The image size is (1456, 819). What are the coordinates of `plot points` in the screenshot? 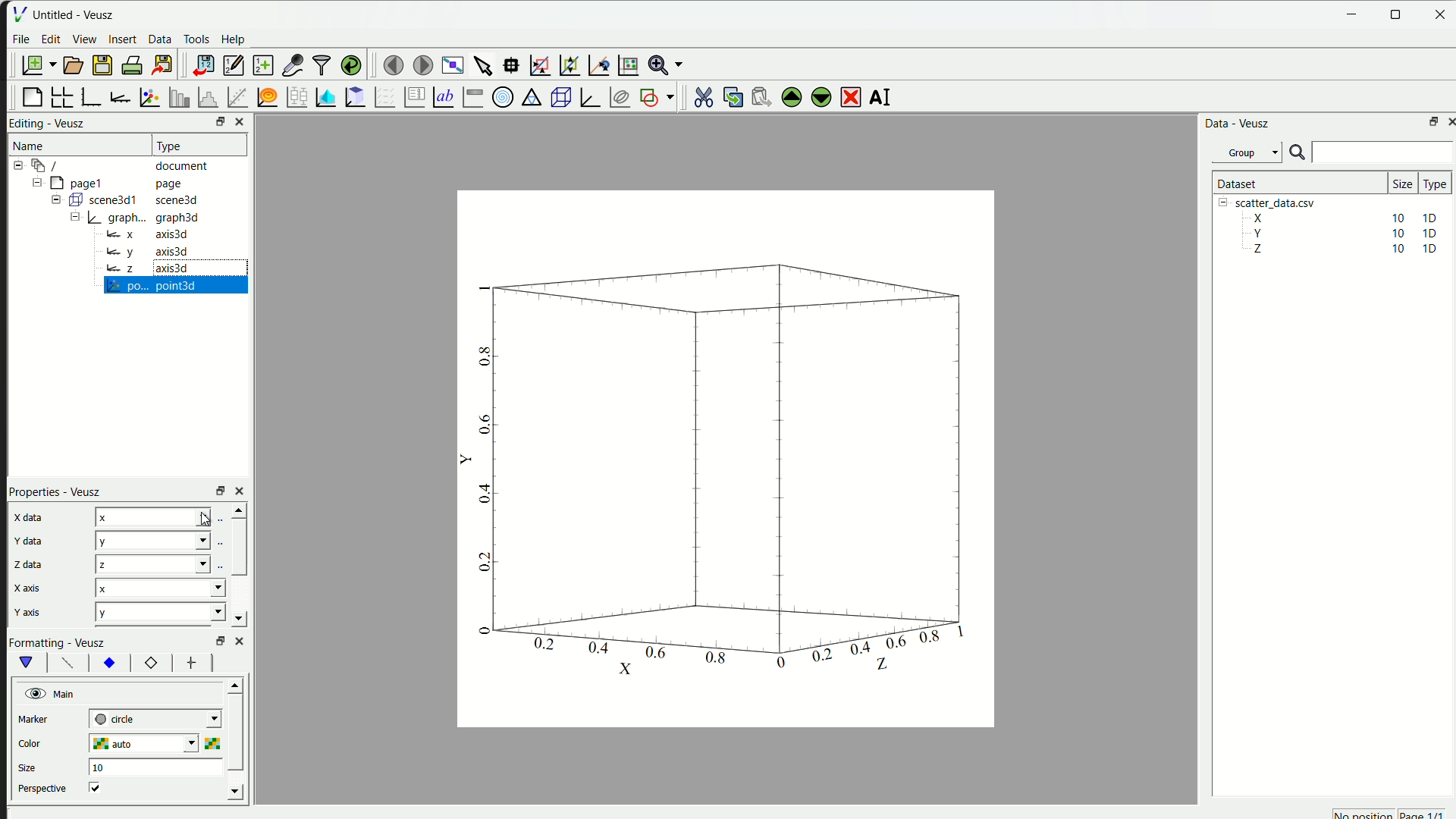 It's located at (147, 98).